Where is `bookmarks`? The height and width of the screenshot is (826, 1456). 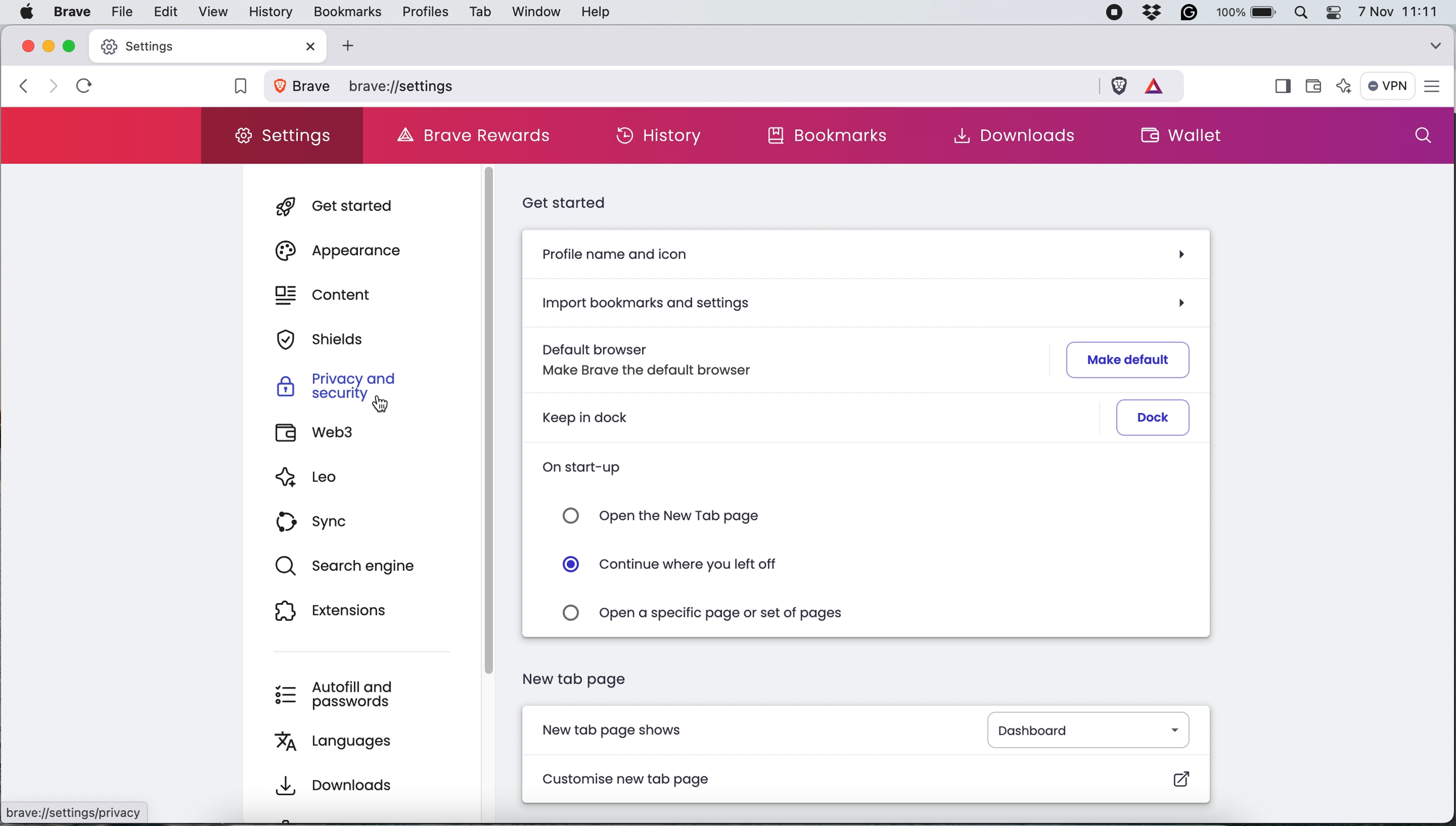
bookmarks is located at coordinates (347, 11).